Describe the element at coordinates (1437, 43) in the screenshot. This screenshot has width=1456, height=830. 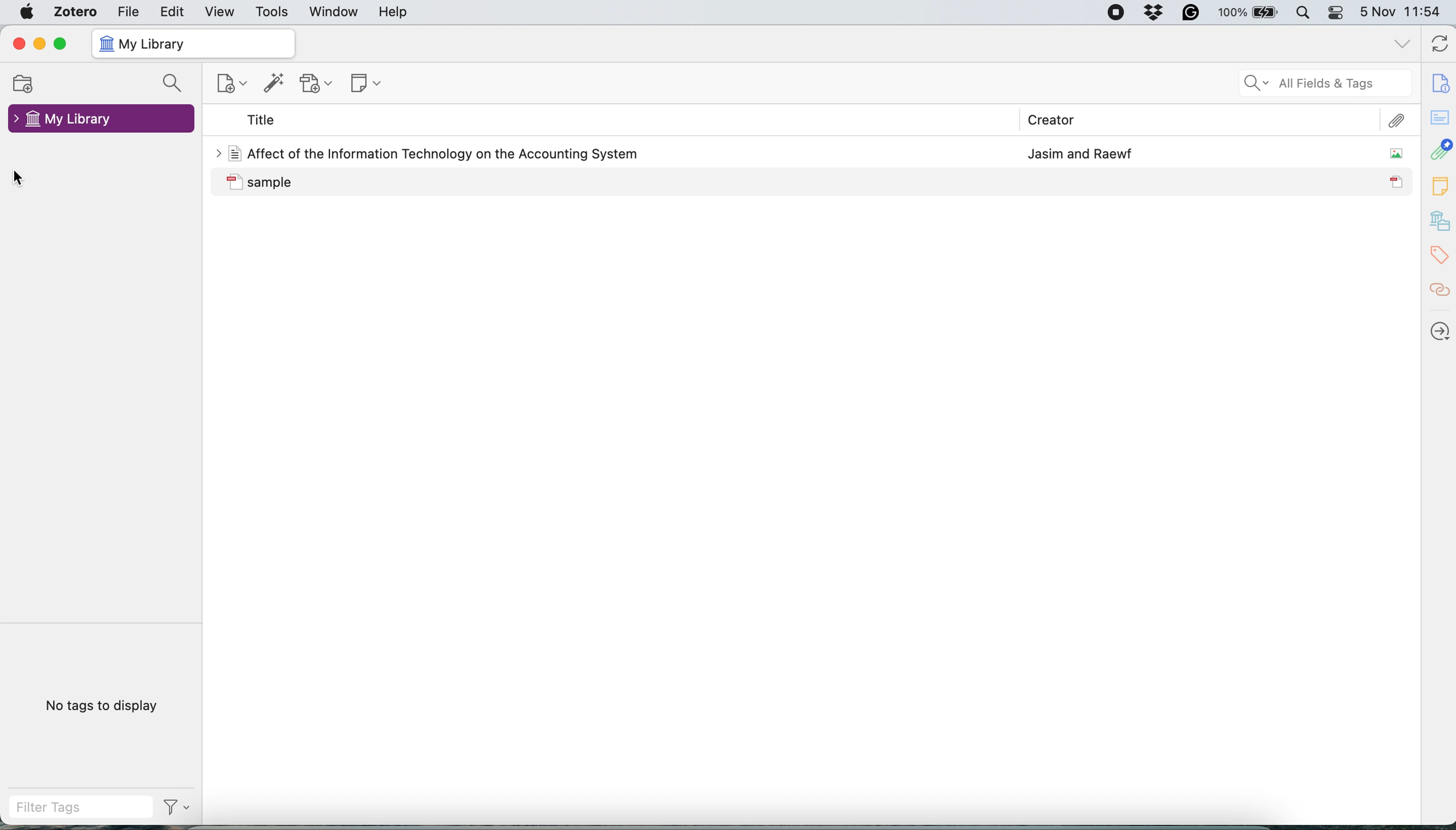
I see `refresh` at that location.